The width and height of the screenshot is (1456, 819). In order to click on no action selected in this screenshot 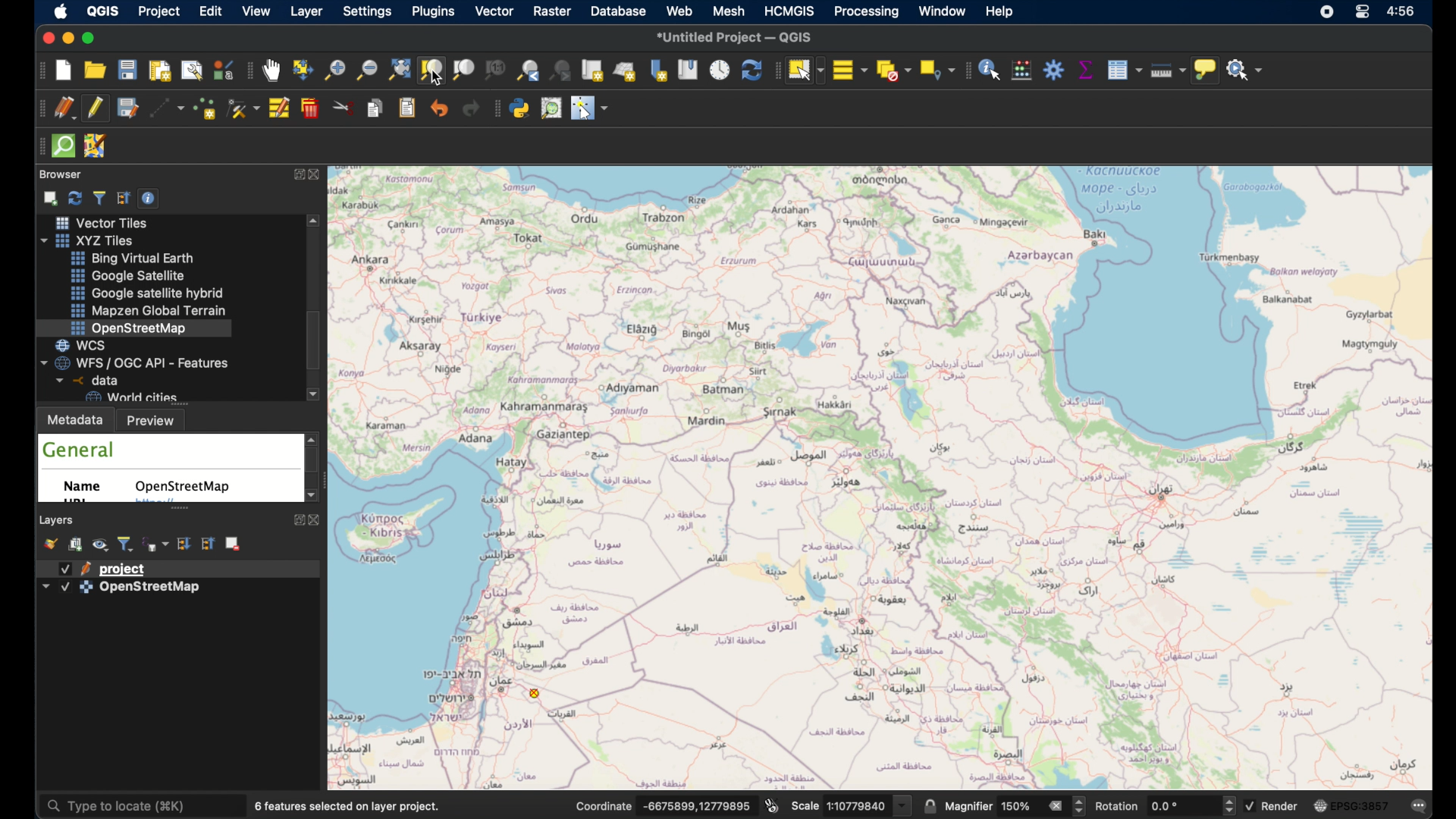, I will do `click(1246, 71)`.